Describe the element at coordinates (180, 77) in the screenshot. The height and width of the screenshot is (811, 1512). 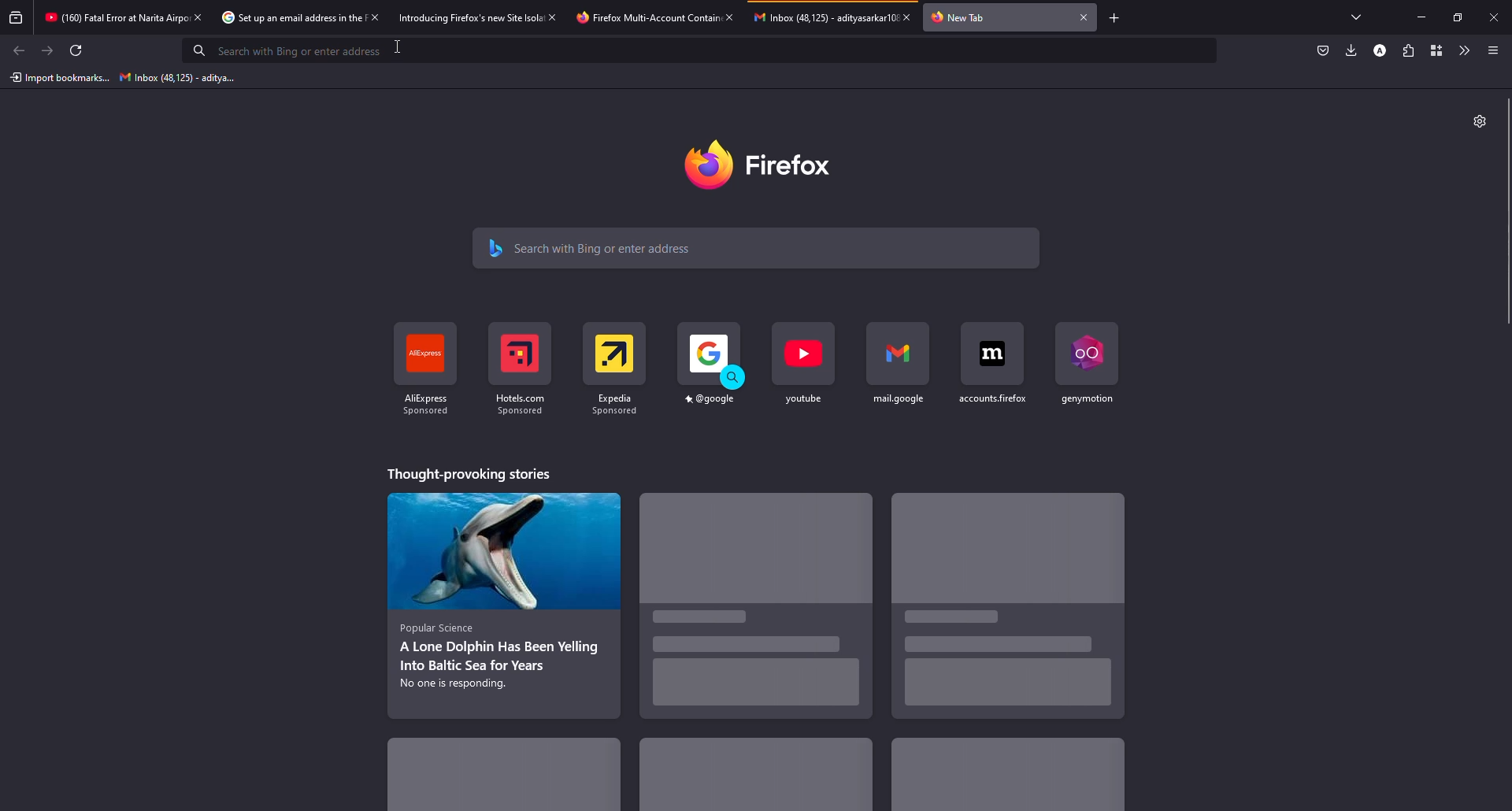
I see `inbox` at that location.